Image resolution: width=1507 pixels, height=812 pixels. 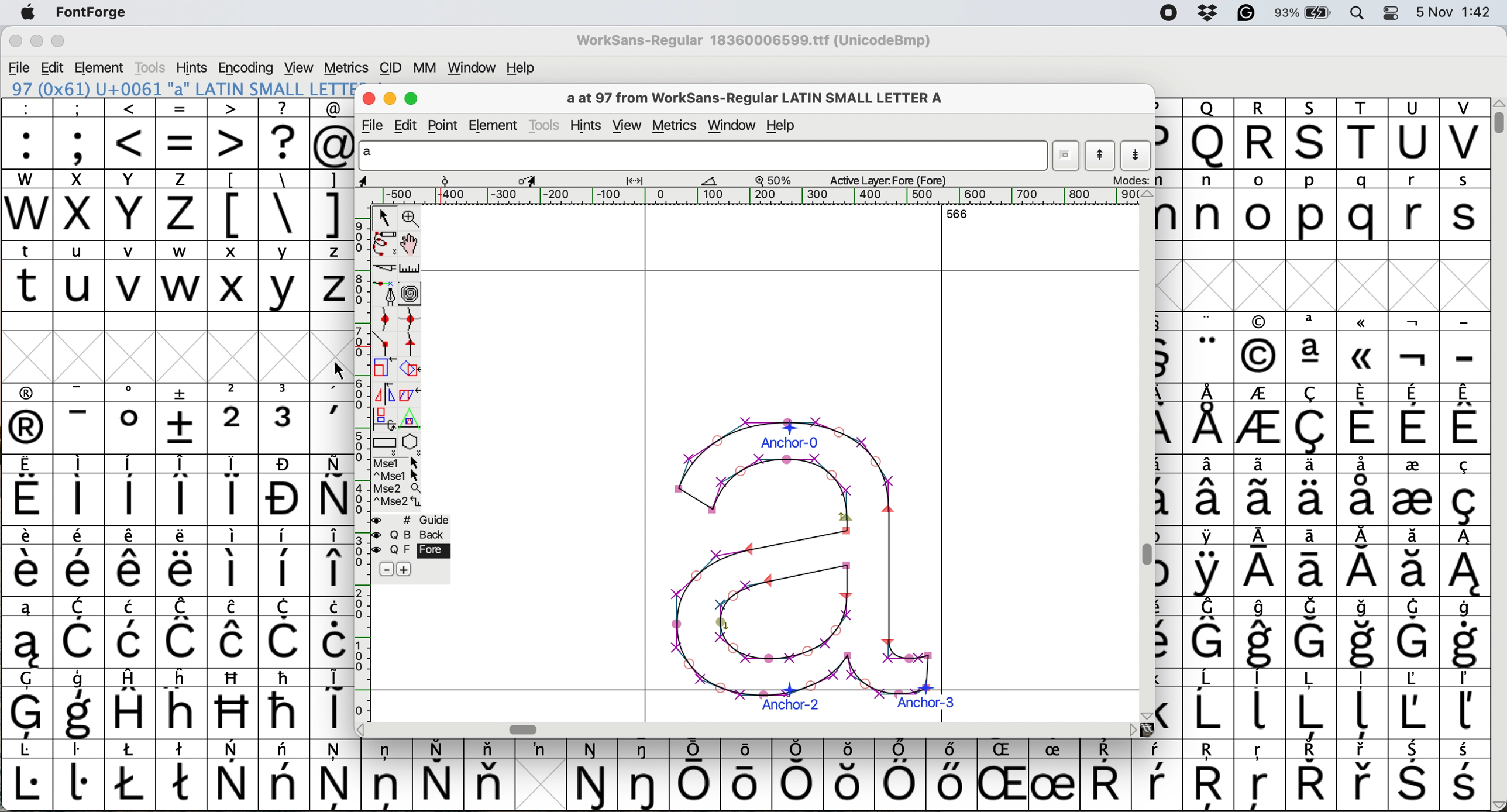 I want to click on view, so click(x=627, y=126).